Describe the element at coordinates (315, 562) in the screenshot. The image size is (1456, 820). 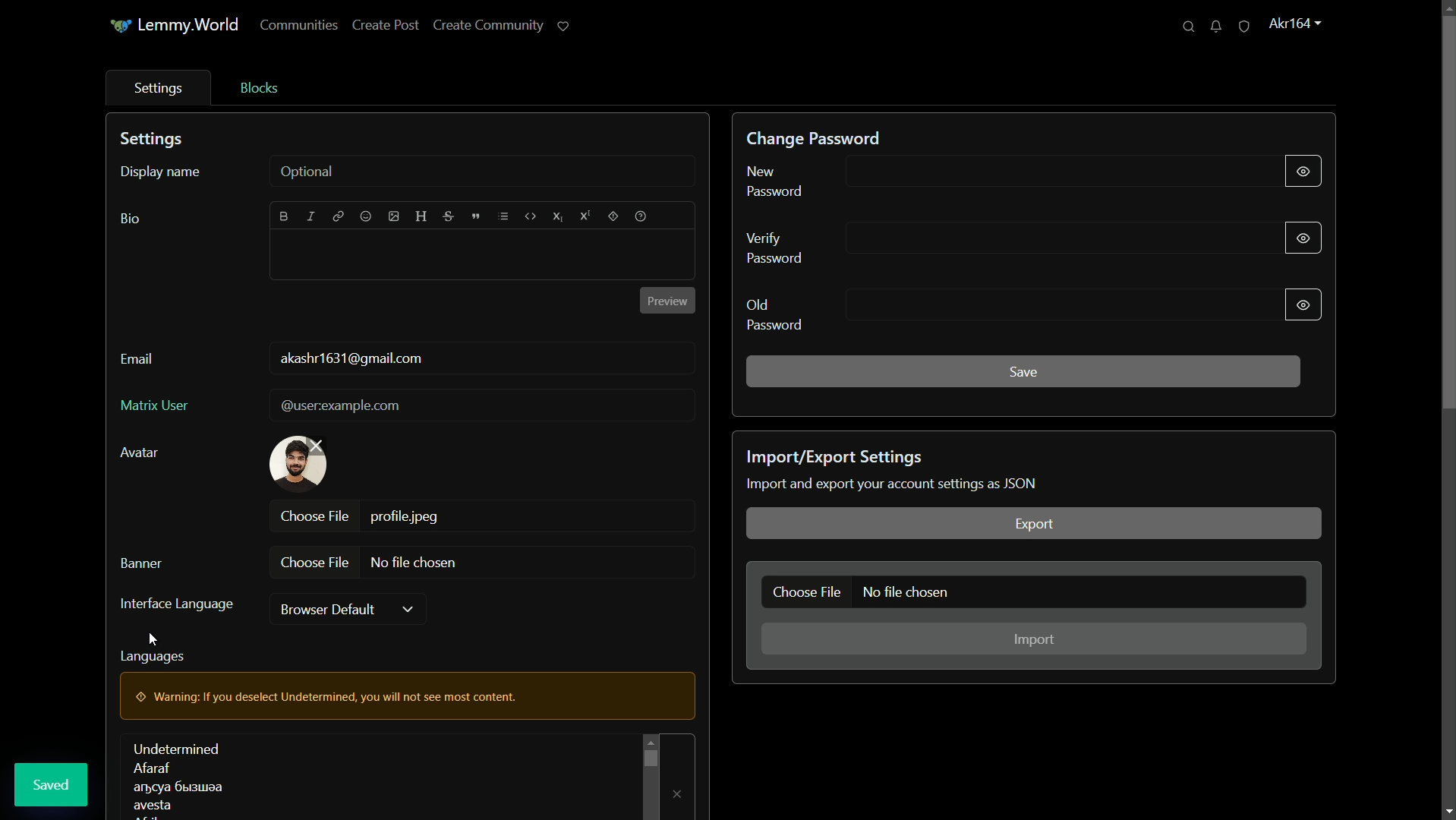
I see `choose file` at that location.